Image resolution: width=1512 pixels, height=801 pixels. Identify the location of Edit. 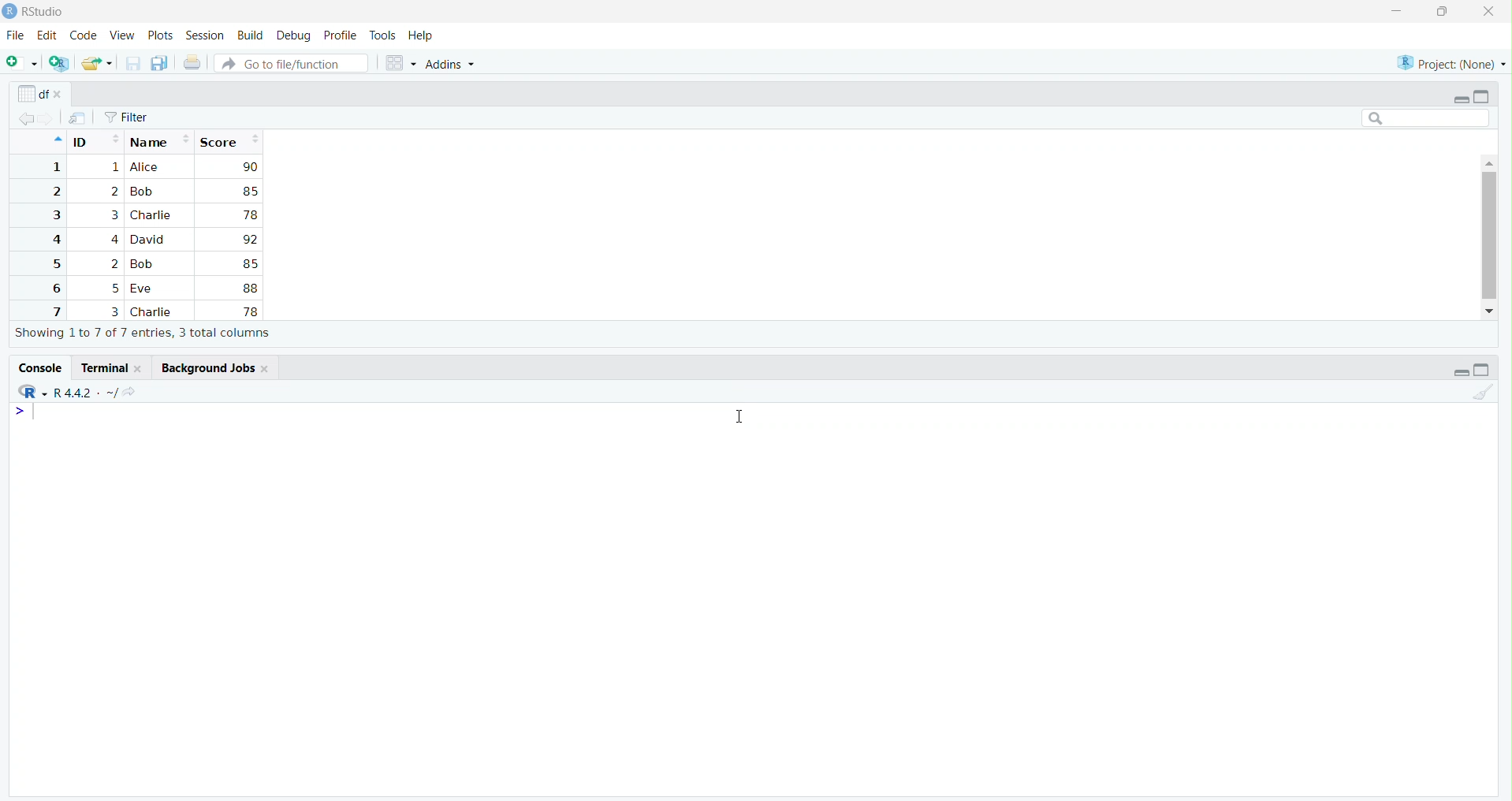
(47, 35).